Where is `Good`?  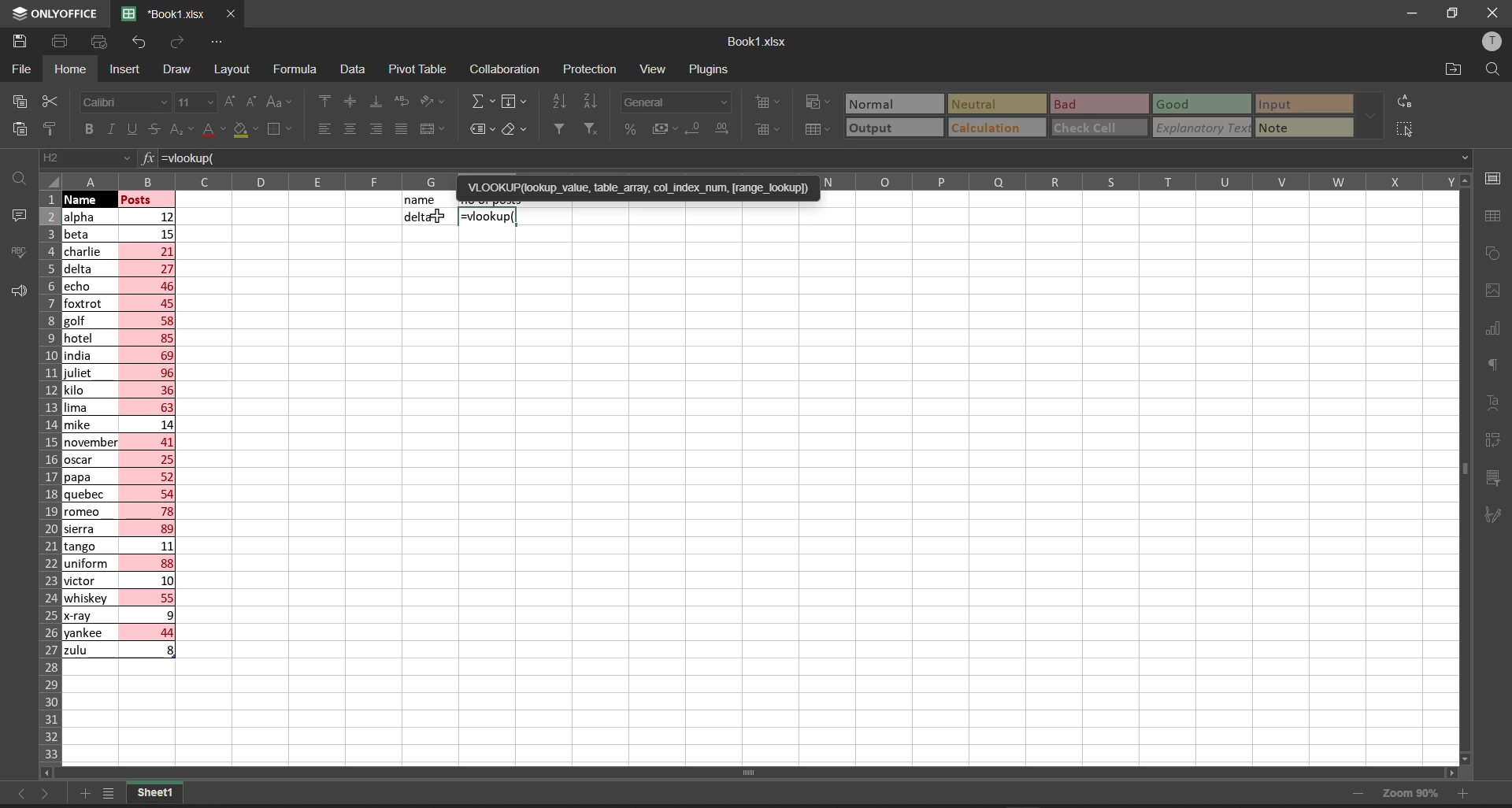
Good is located at coordinates (1175, 103).